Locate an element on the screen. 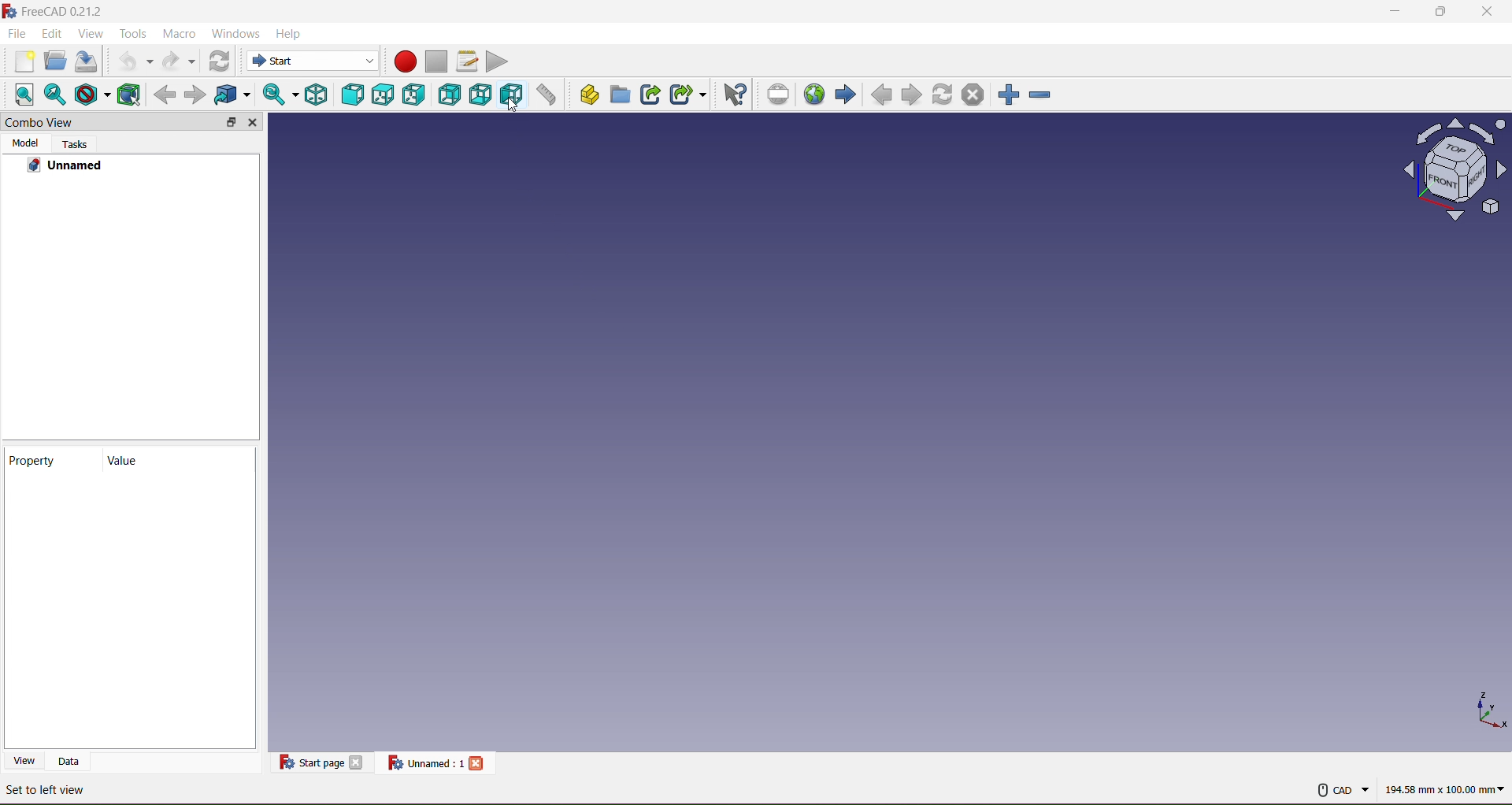 Image resolution: width=1512 pixels, height=805 pixels. Close is located at coordinates (356, 762).